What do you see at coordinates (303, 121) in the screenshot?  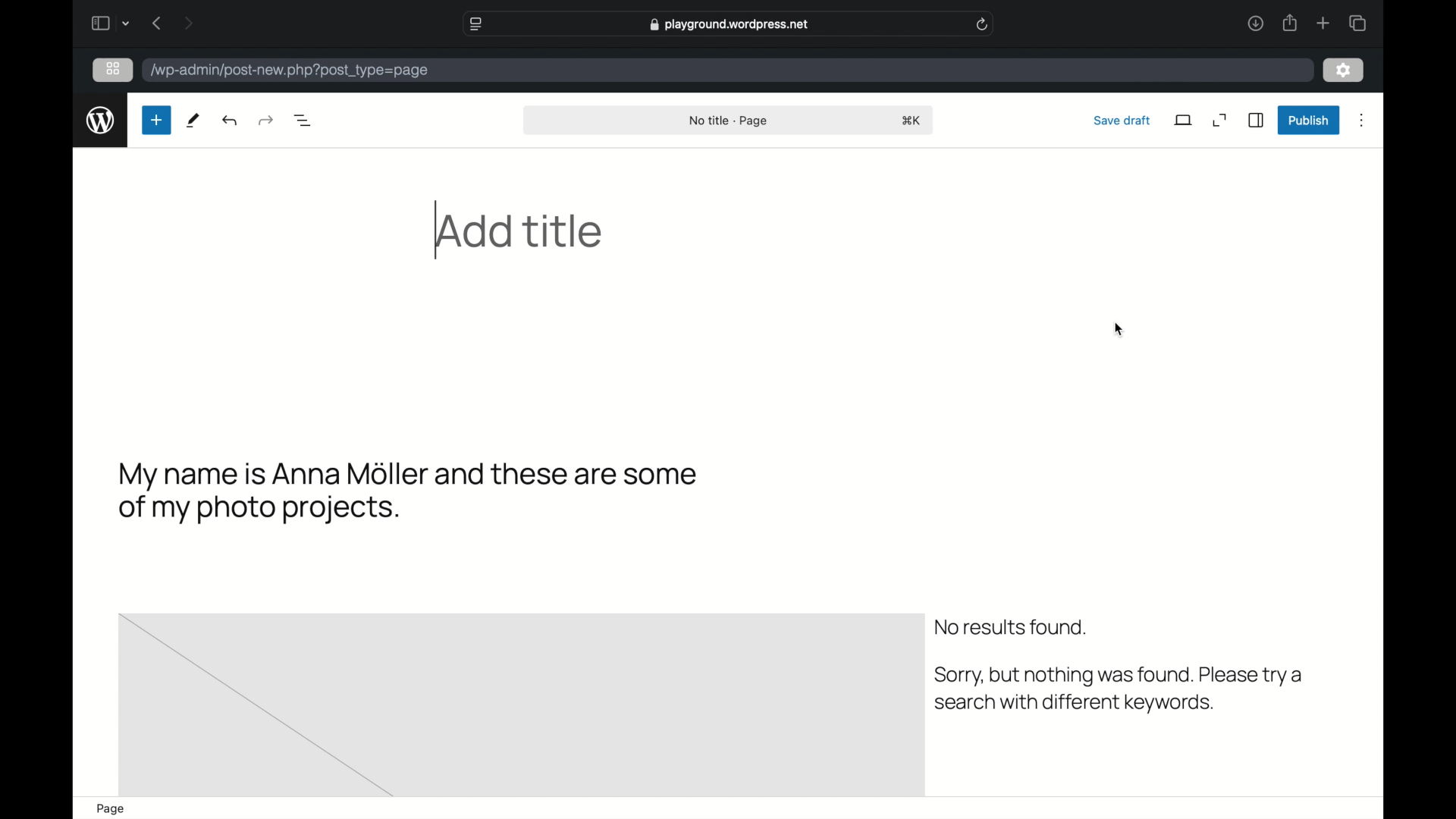 I see `document overview` at bounding box center [303, 121].